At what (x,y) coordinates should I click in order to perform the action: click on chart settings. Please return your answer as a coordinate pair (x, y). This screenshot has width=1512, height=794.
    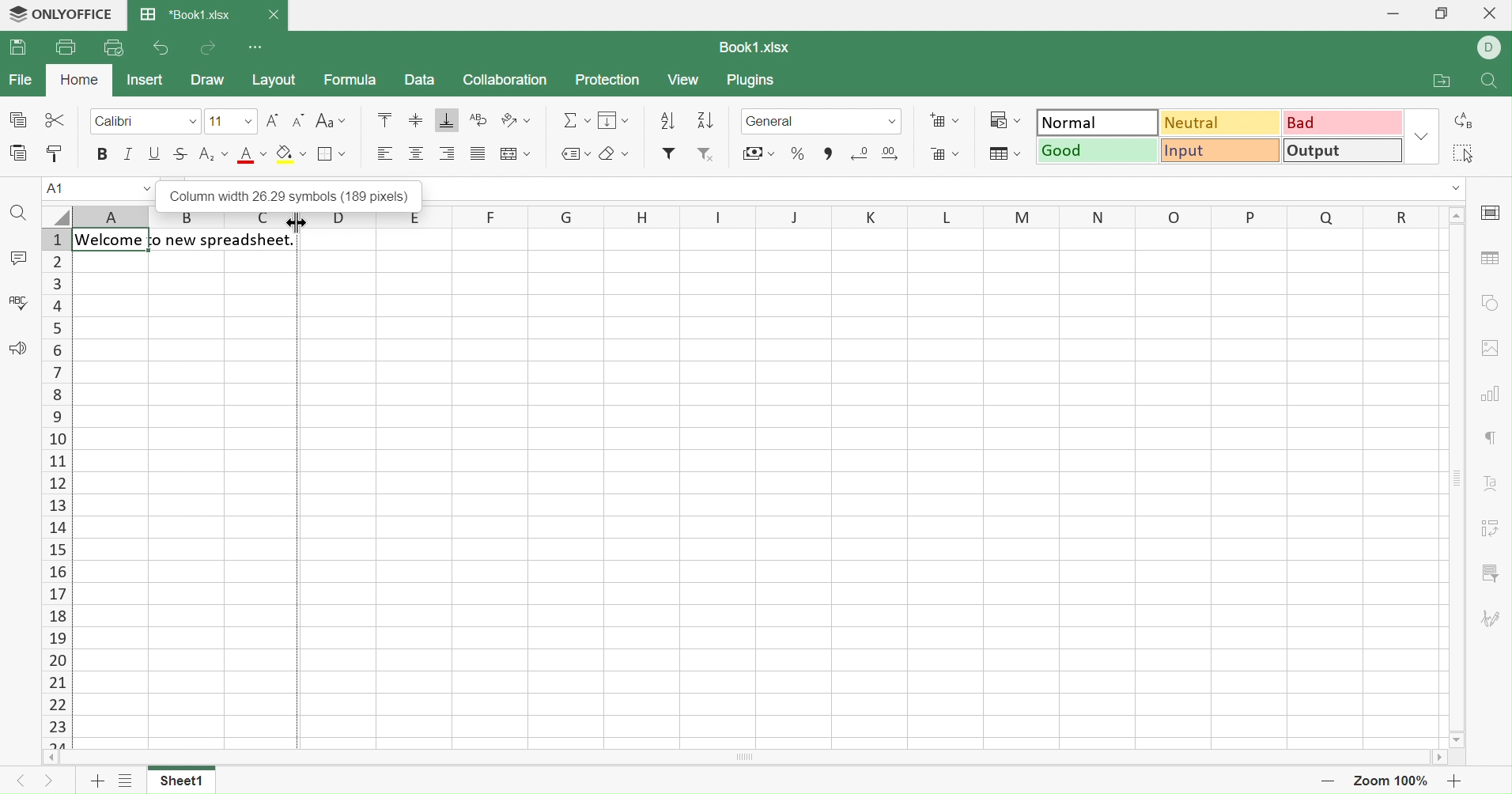
    Looking at the image, I should click on (1491, 391).